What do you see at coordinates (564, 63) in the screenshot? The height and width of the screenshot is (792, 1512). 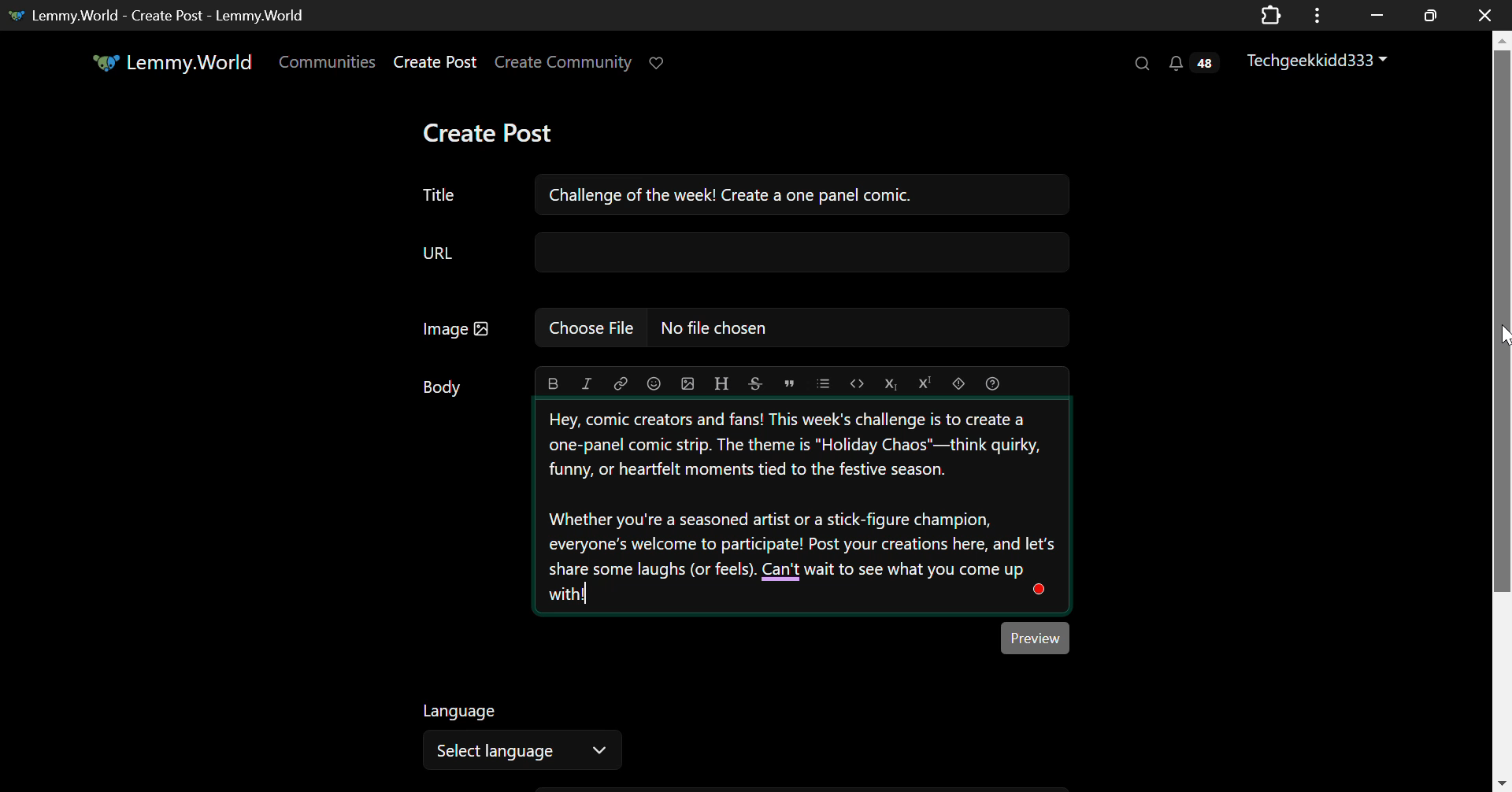 I see `Create Community` at bounding box center [564, 63].